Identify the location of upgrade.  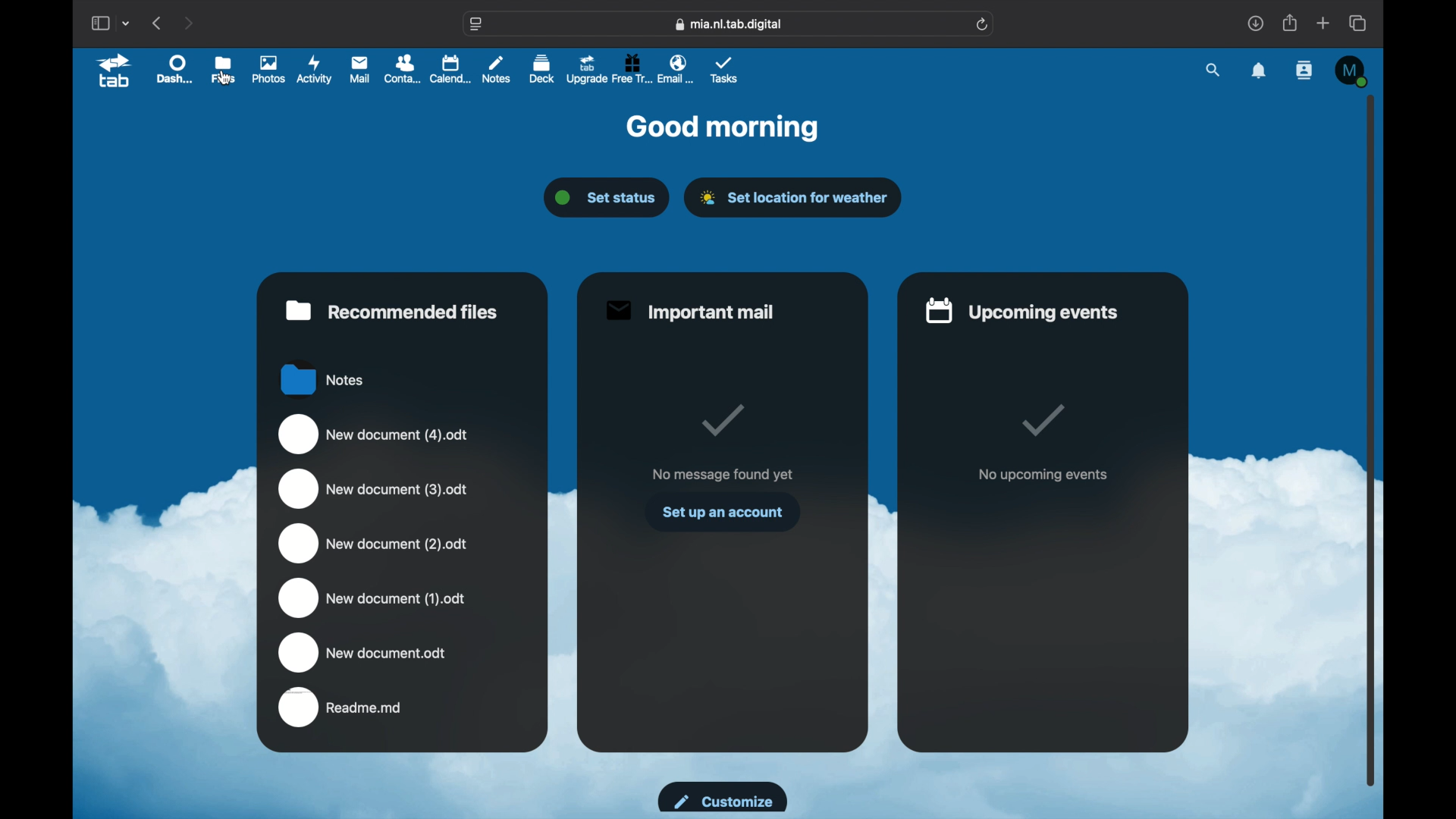
(585, 71).